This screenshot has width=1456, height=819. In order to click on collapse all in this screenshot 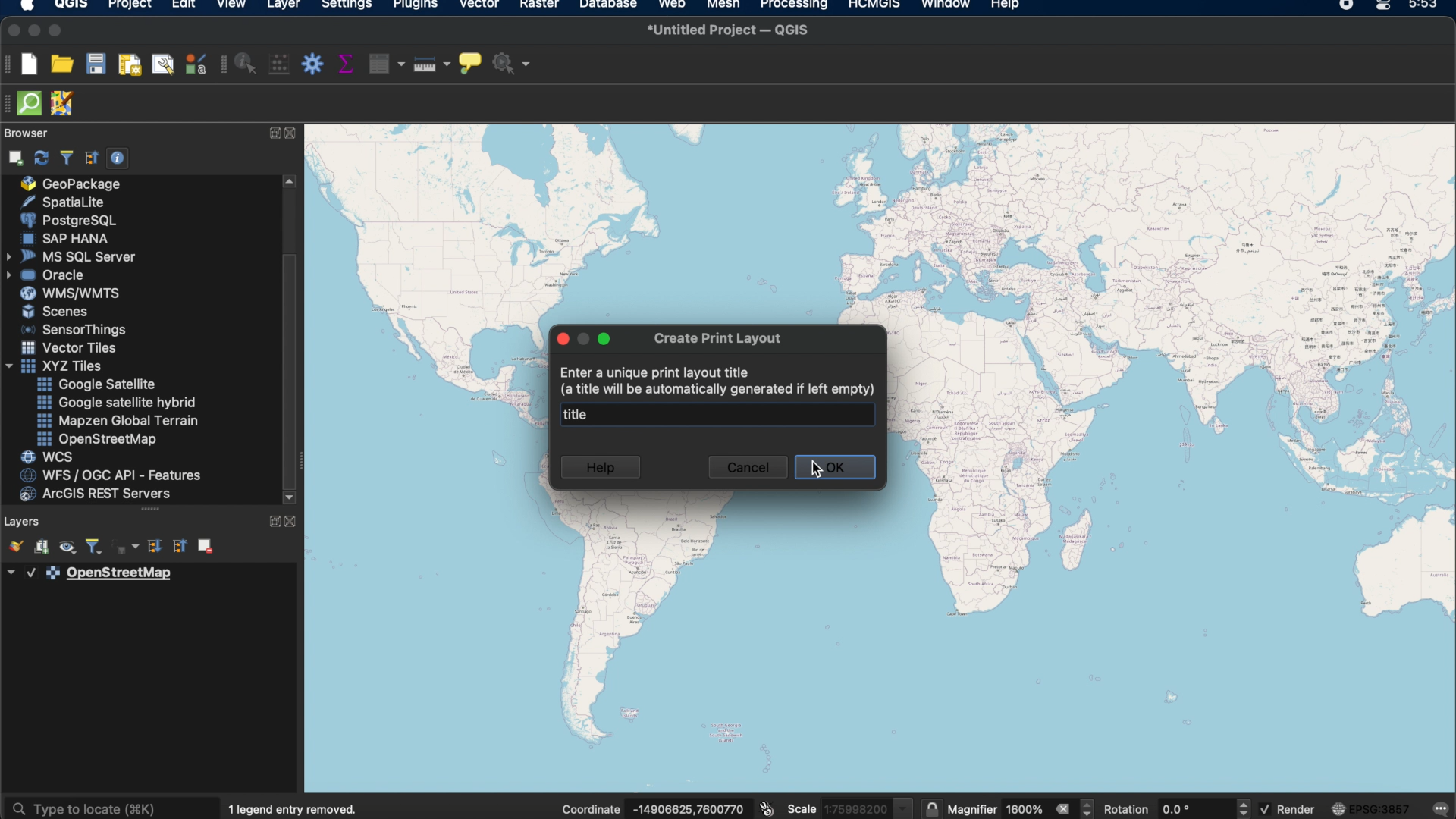, I will do `click(180, 545)`.